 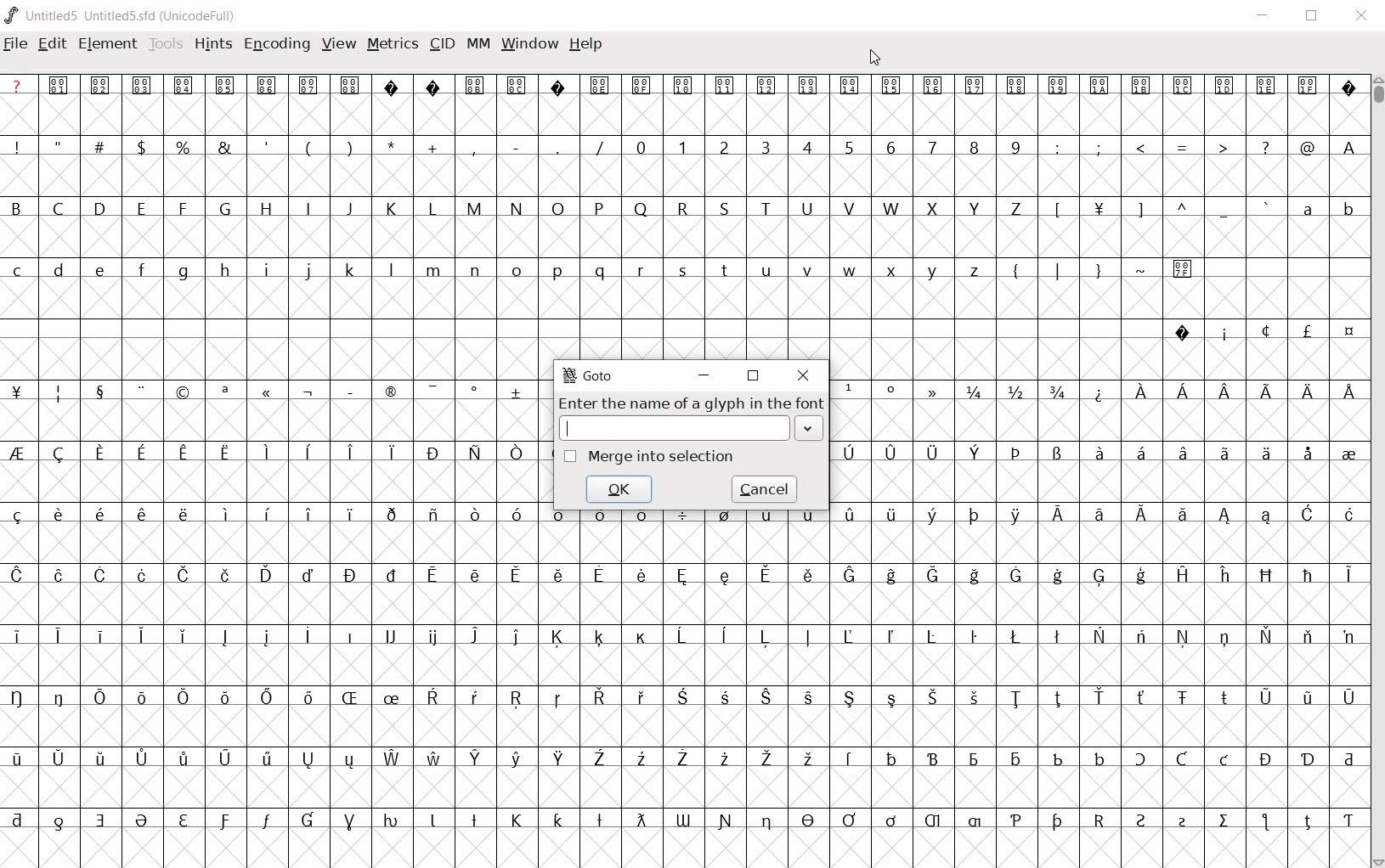 What do you see at coordinates (806, 576) in the screenshot?
I see `Symbol` at bounding box center [806, 576].